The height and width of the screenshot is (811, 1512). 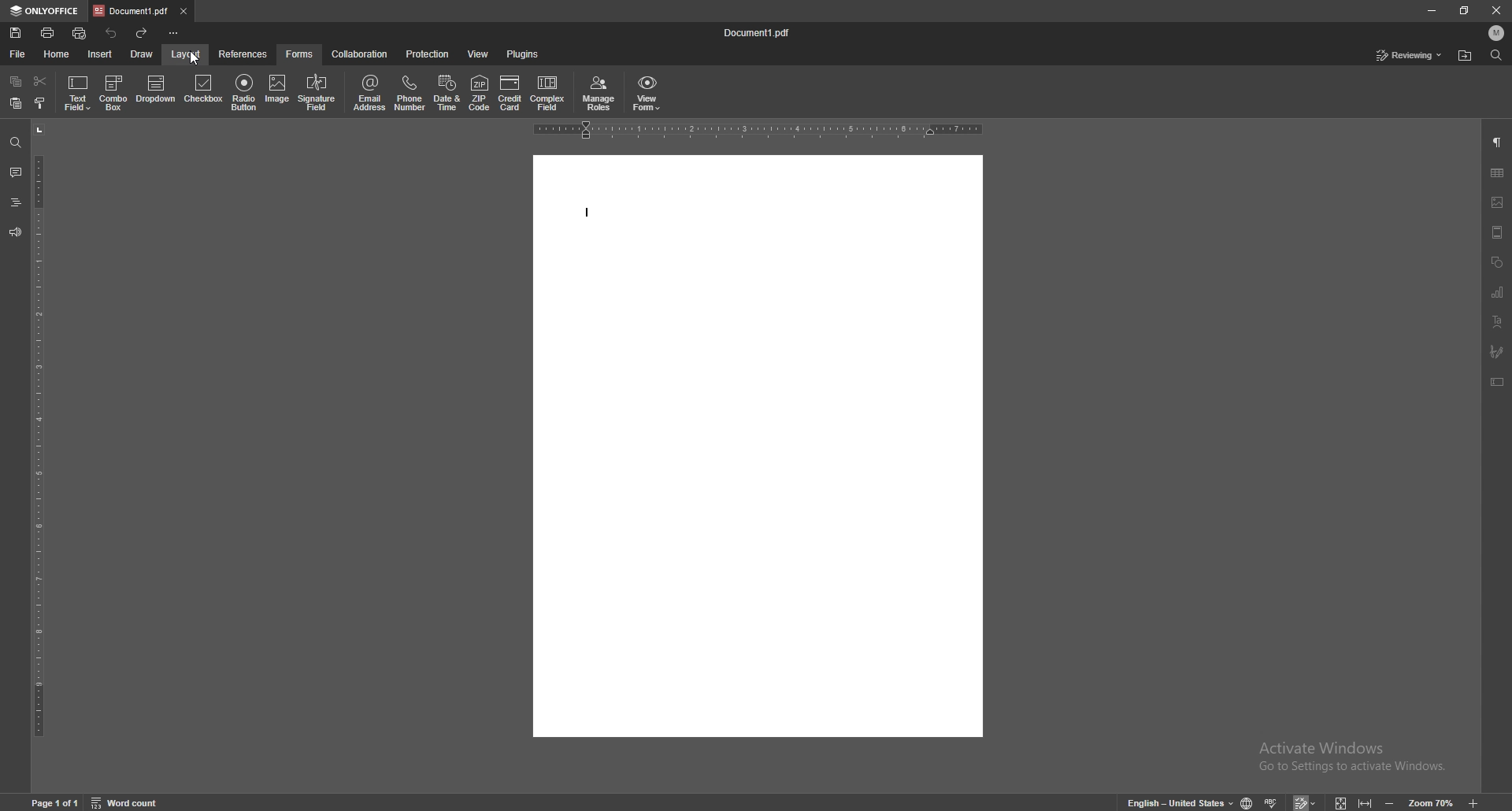 I want to click on change text language, so click(x=1180, y=802).